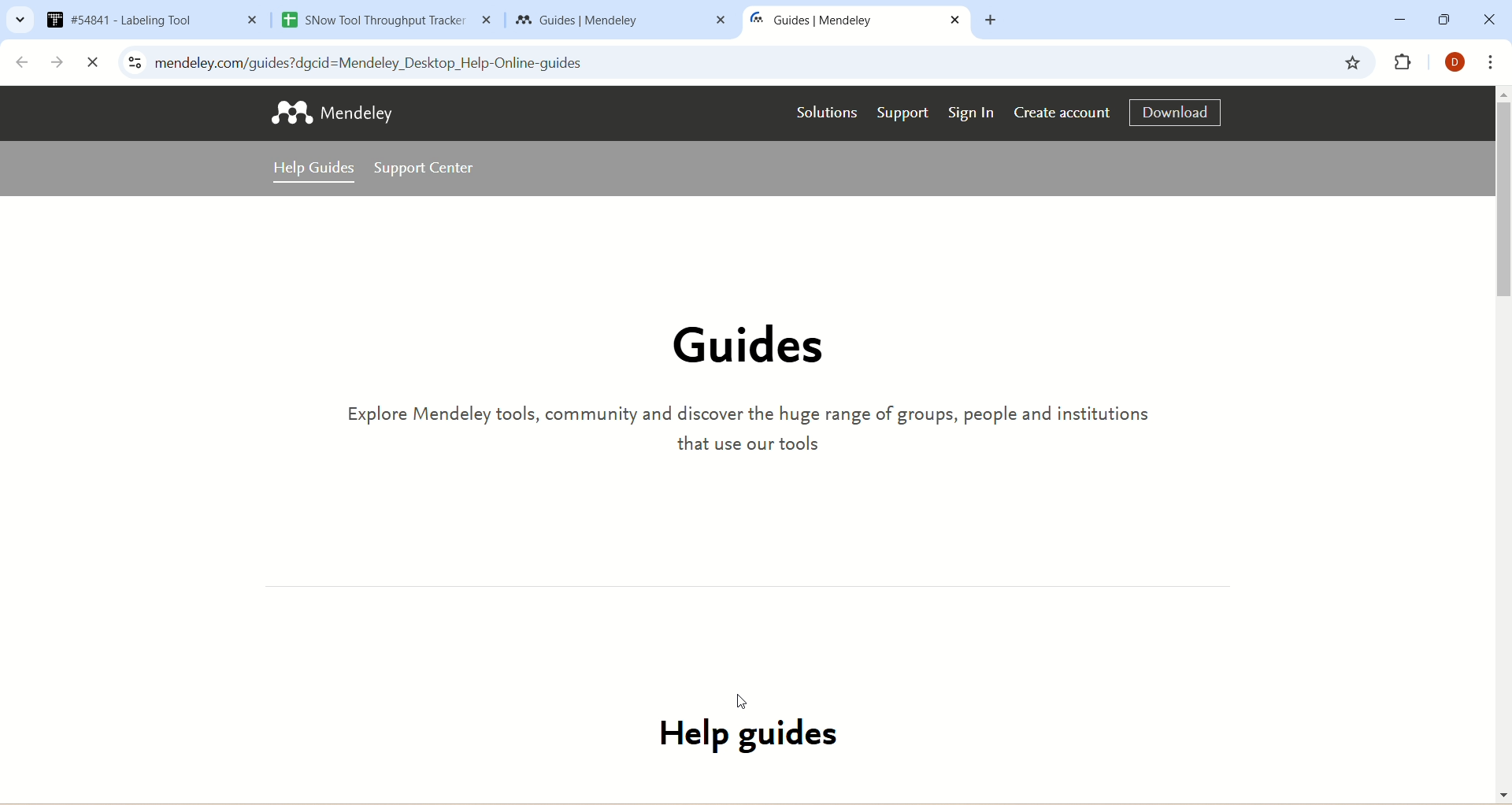  What do you see at coordinates (313, 172) in the screenshot?
I see `help guides` at bounding box center [313, 172].